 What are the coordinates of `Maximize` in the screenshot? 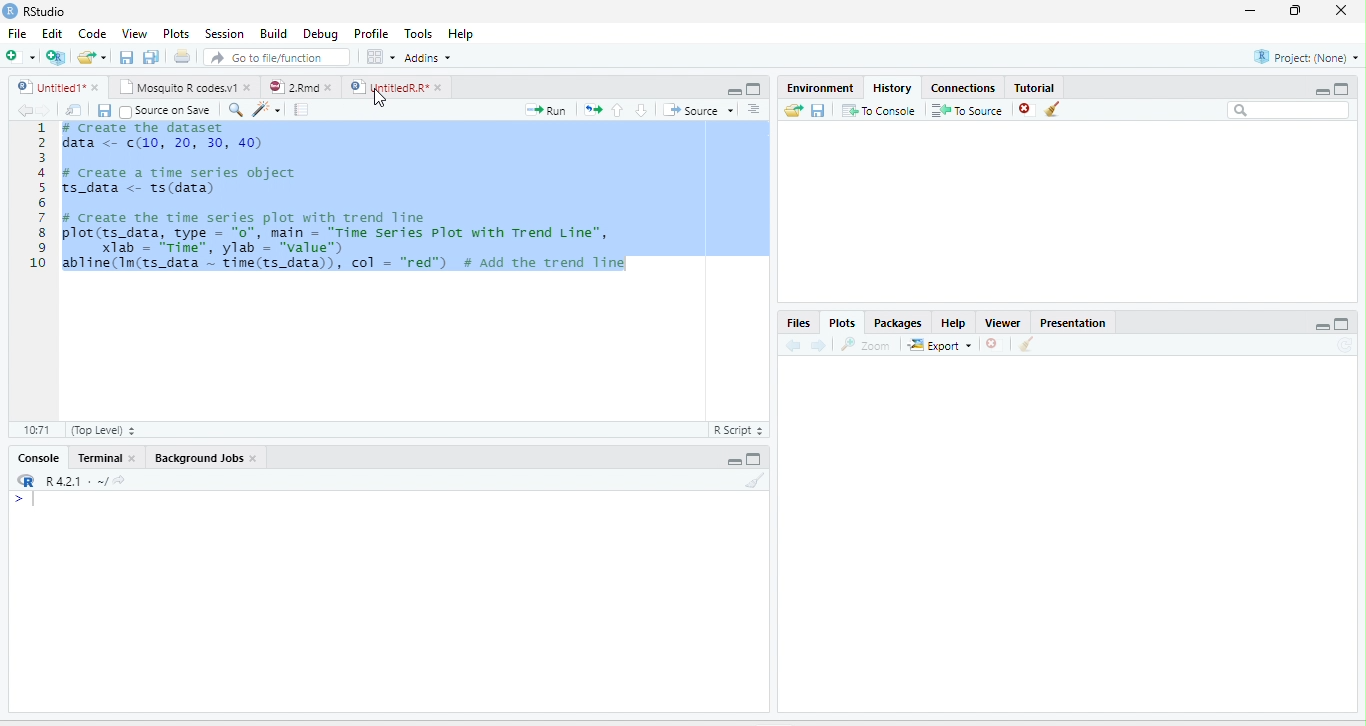 It's located at (1342, 88).